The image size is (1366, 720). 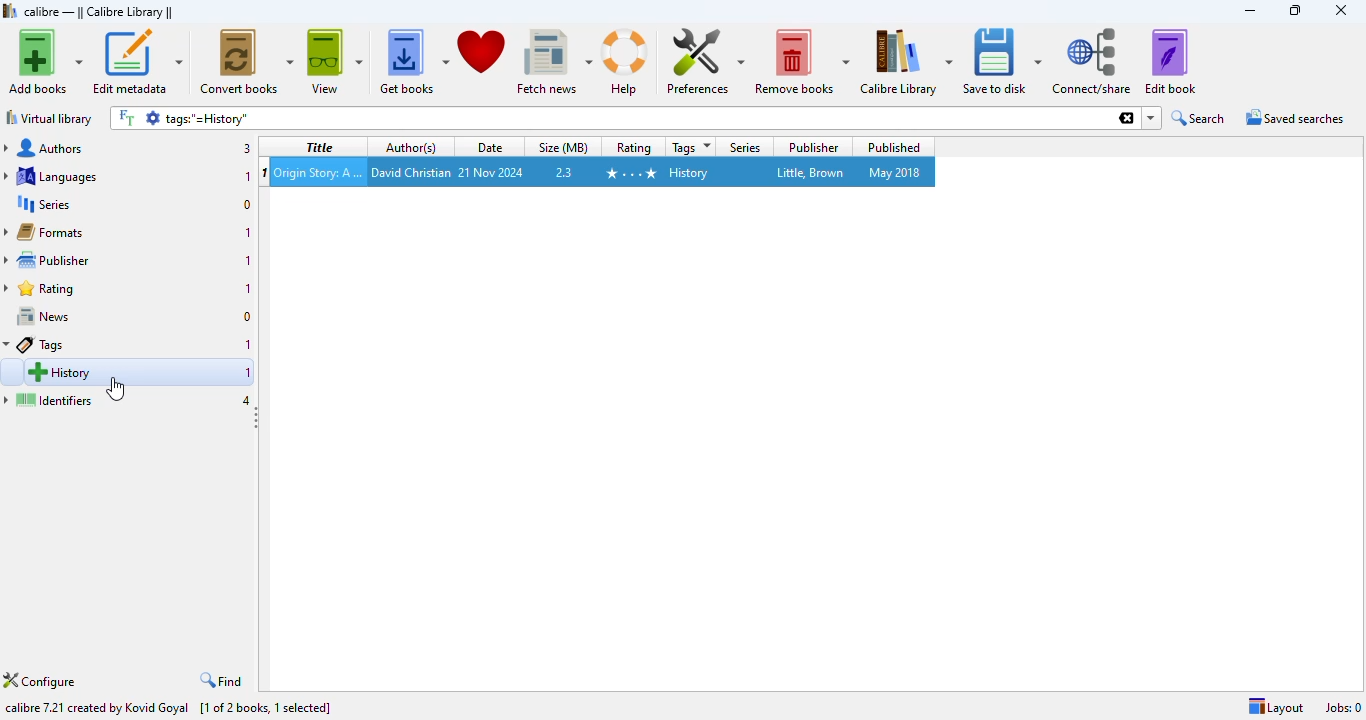 What do you see at coordinates (265, 707) in the screenshot?
I see `[1 of 2 books, 1 selected]` at bounding box center [265, 707].